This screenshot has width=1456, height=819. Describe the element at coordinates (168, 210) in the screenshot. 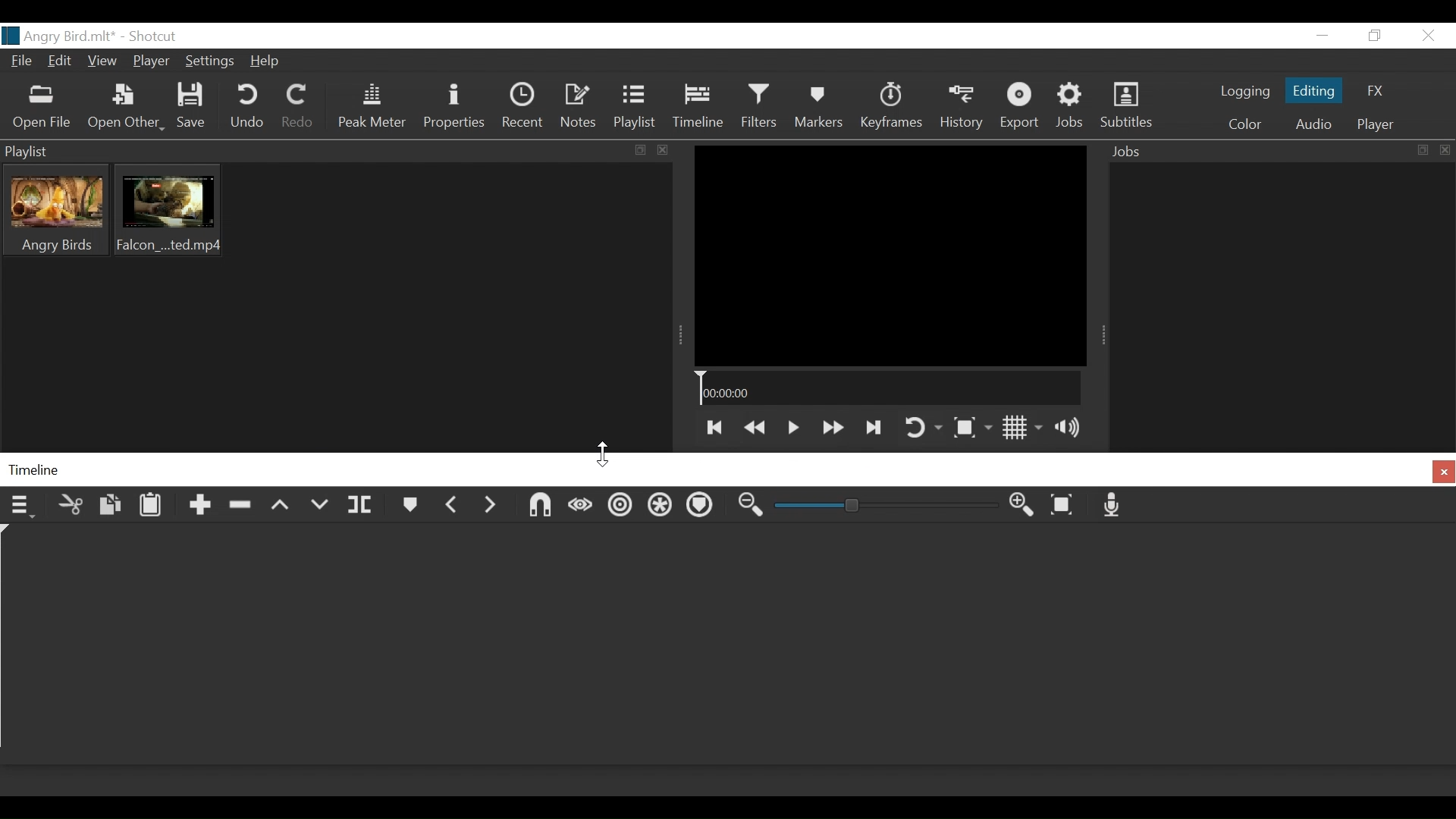

I see `Clip` at that location.